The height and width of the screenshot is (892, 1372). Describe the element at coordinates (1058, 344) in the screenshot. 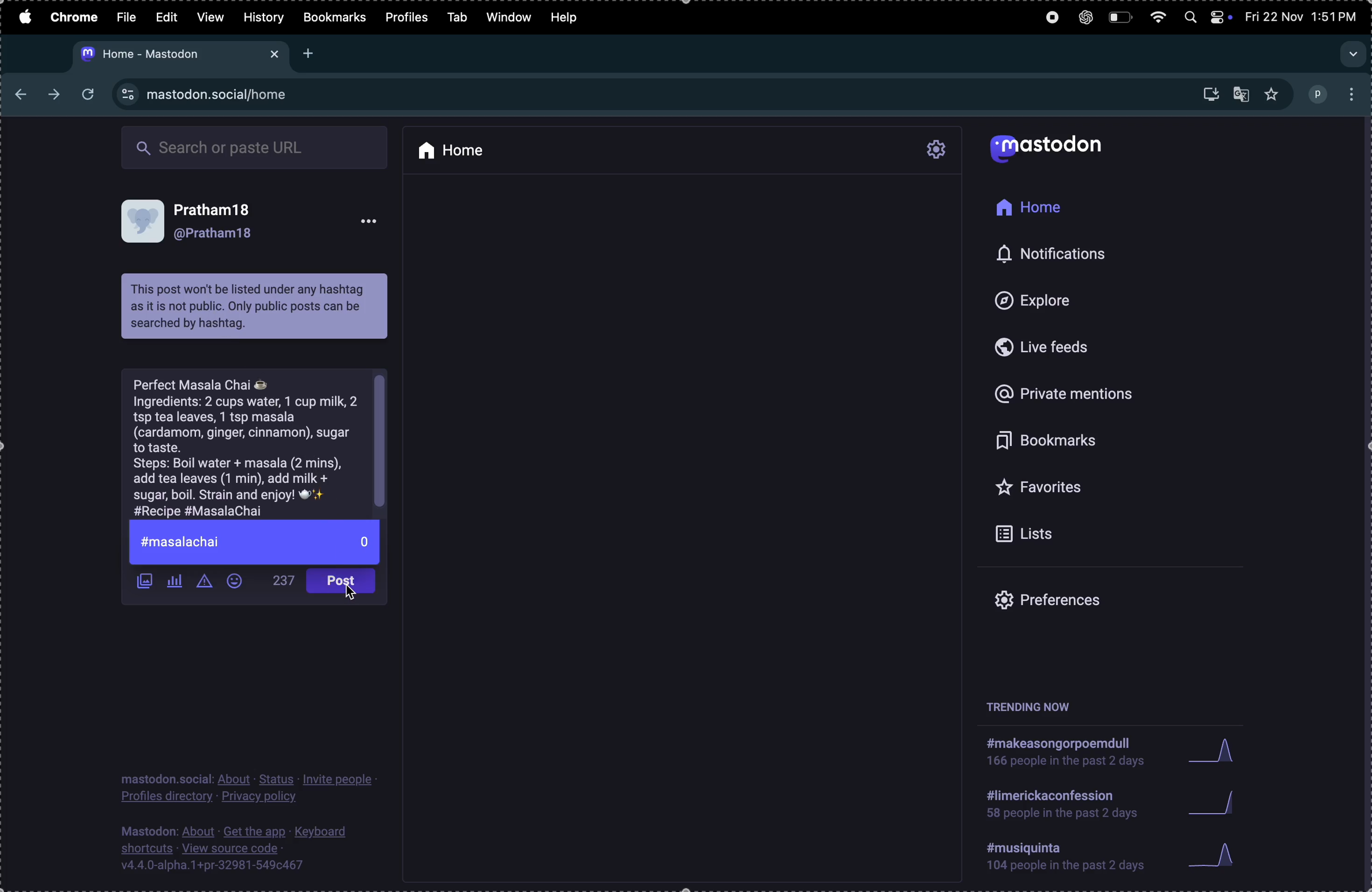

I see `live feeds` at that location.